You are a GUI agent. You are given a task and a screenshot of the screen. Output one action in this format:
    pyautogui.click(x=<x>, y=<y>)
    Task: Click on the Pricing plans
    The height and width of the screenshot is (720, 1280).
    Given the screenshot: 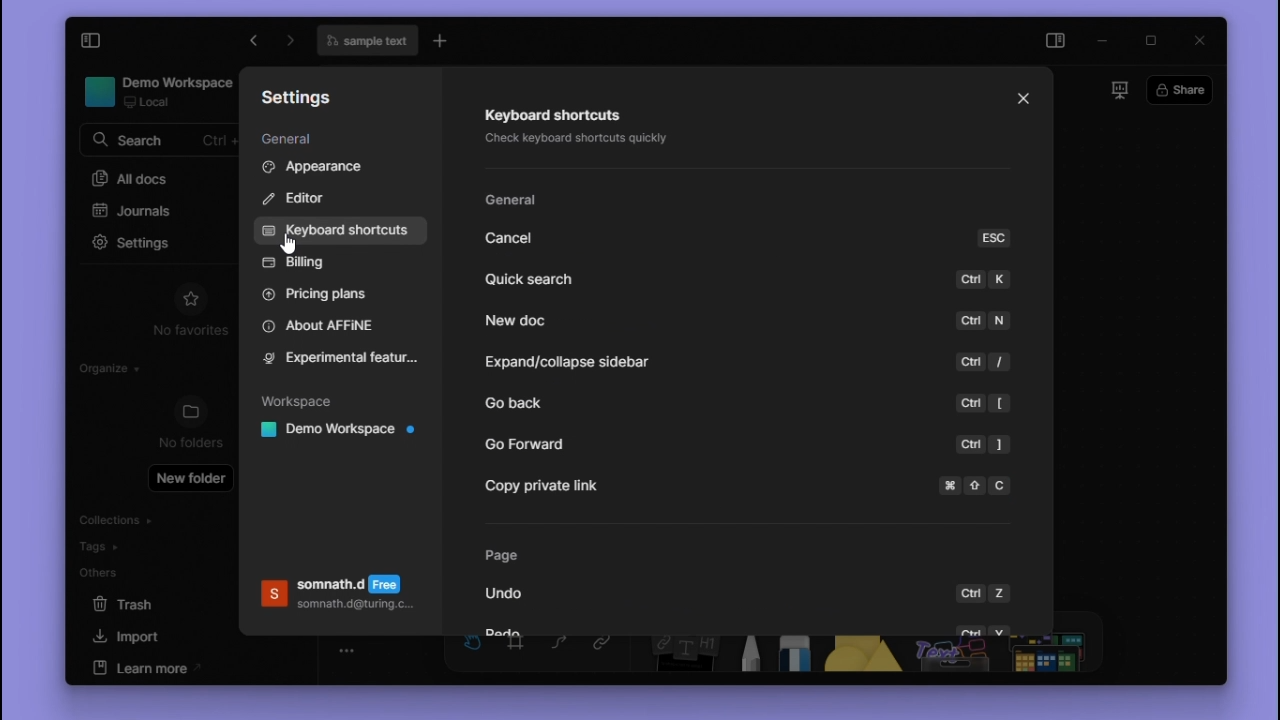 What is the action you would take?
    pyautogui.click(x=328, y=295)
    